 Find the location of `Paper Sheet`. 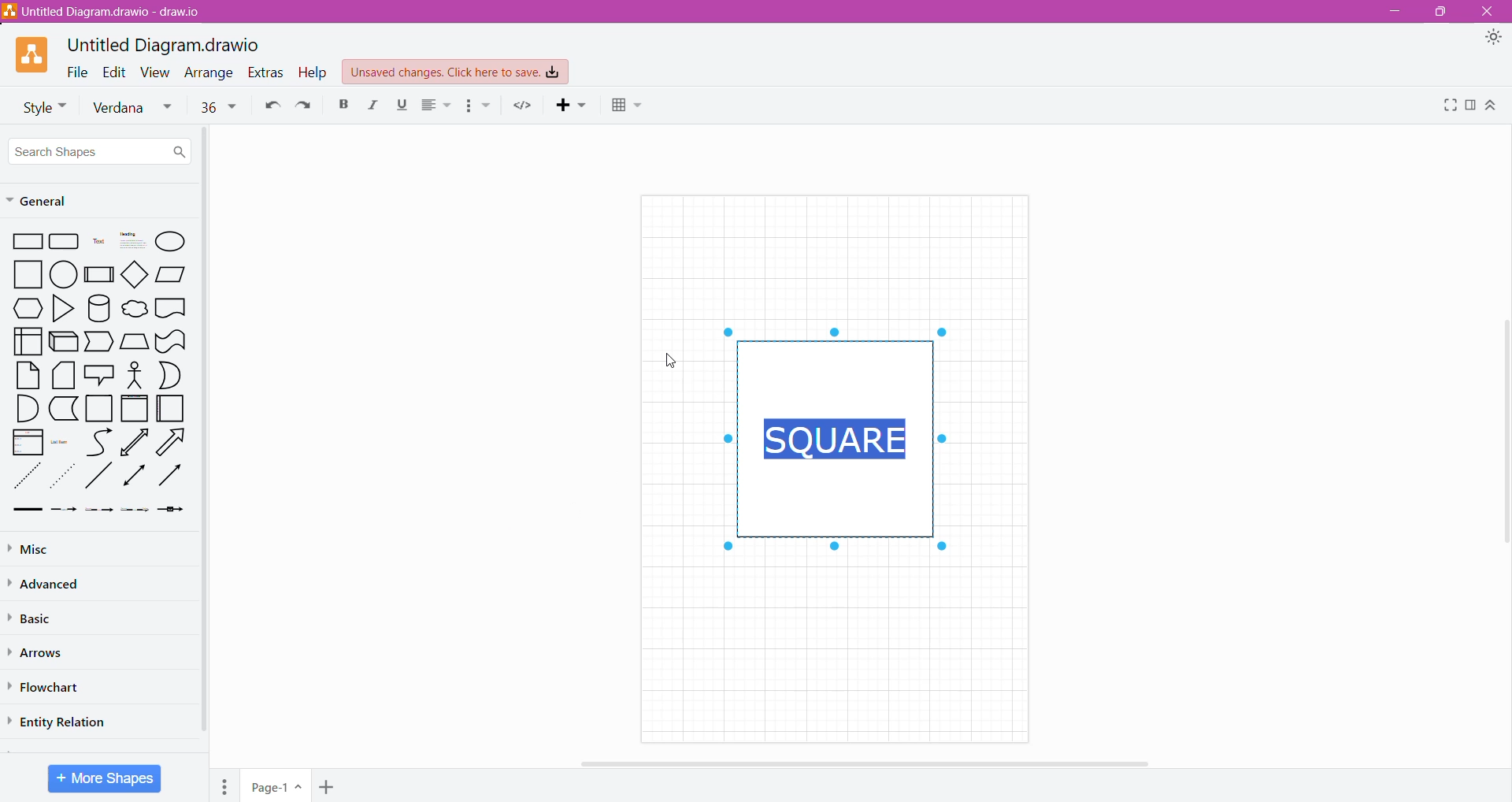

Paper Sheet is located at coordinates (25, 376).